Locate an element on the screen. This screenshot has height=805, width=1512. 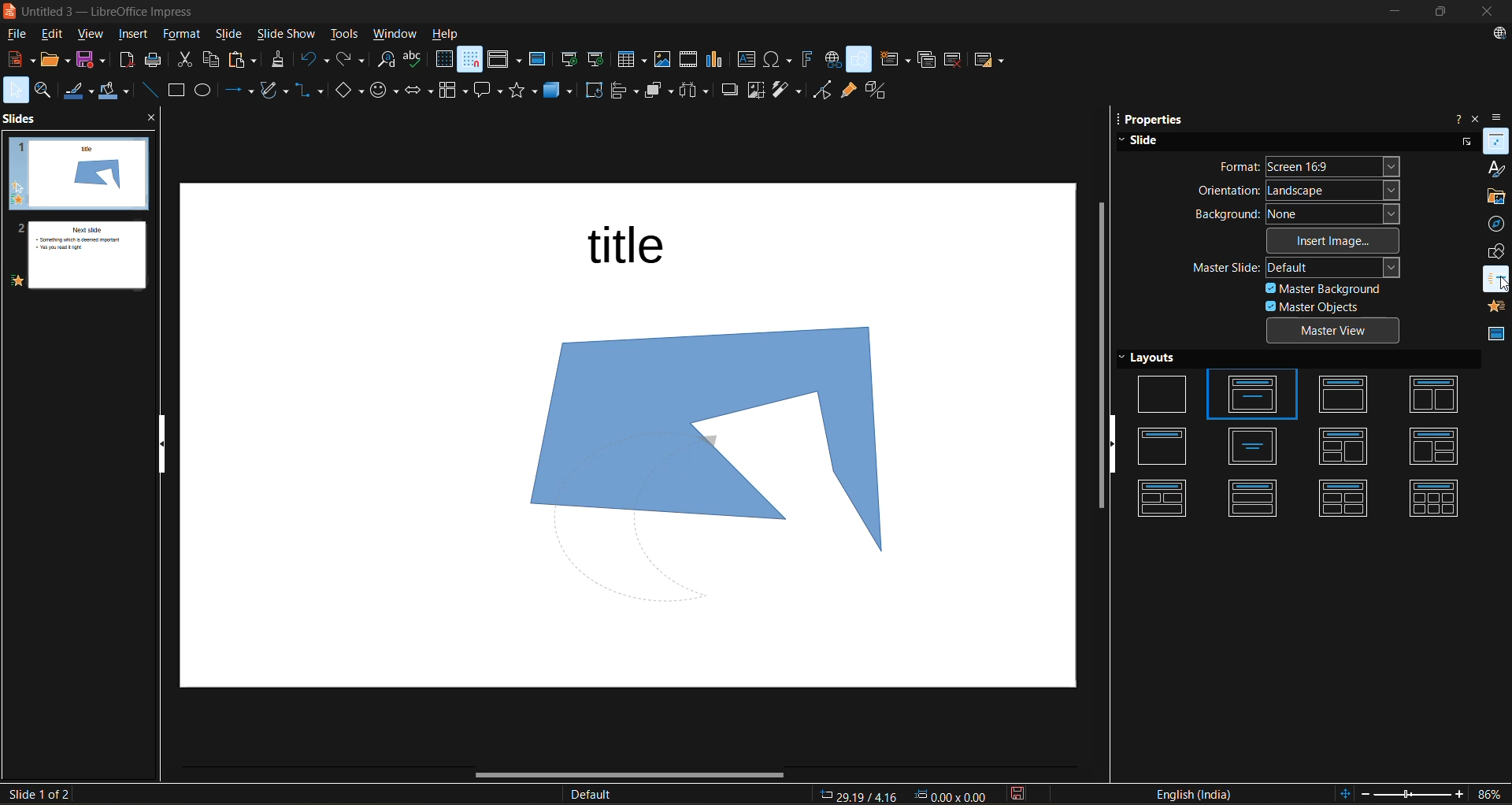
hide is located at coordinates (166, 446).